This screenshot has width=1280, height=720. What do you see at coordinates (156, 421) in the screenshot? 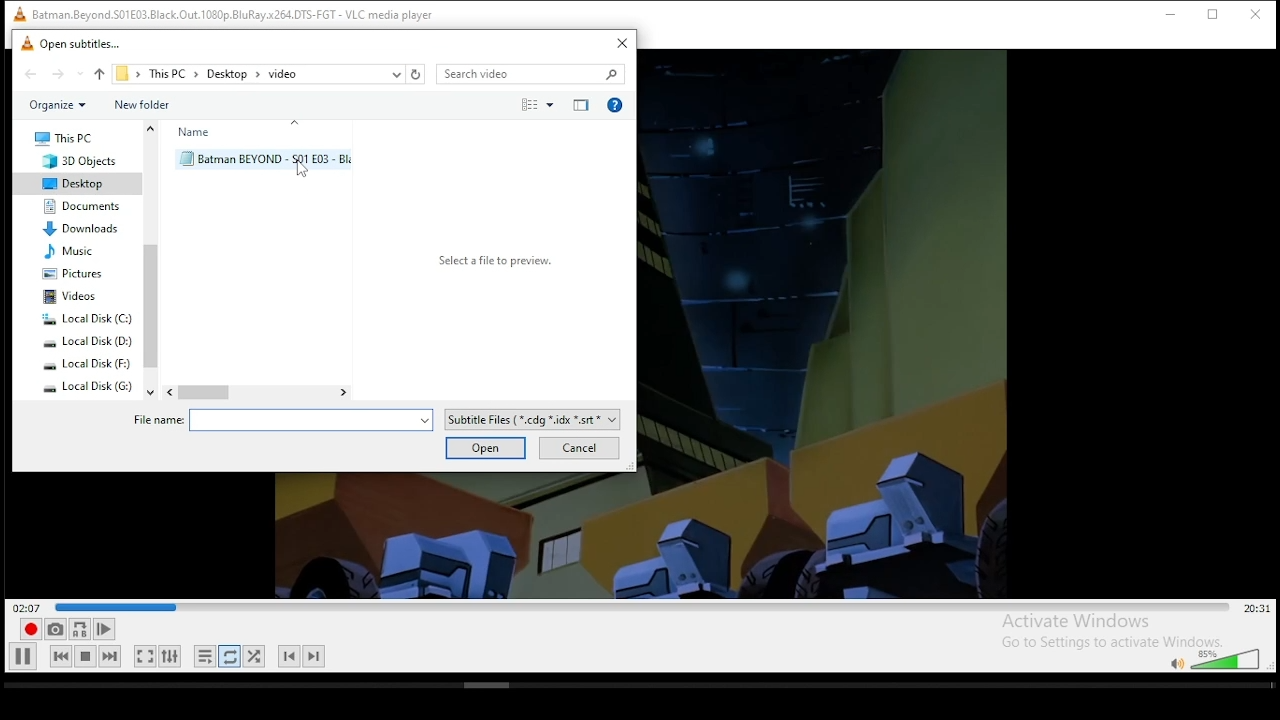
I see `file name` at bounding box center [156, 421].